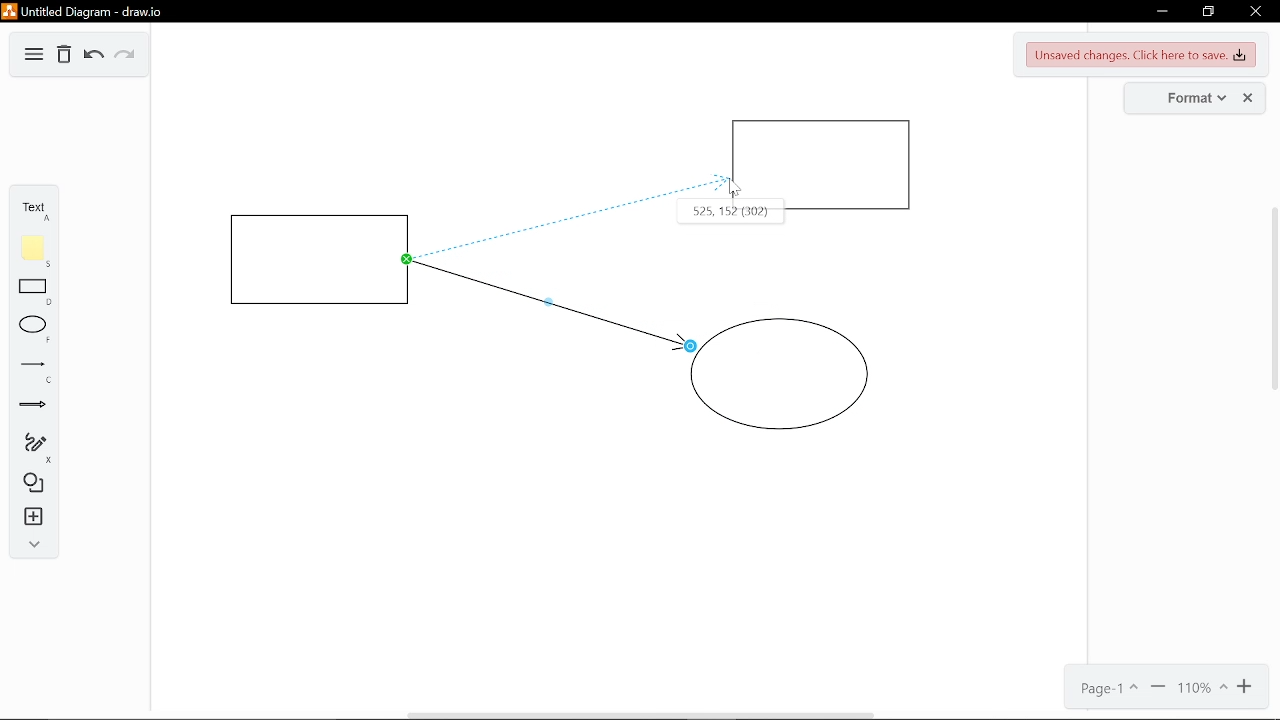  What do you see at coordinates (1161, 12) in the screenshot?
I see `Minimieze` at bounding box center [1161, 12].